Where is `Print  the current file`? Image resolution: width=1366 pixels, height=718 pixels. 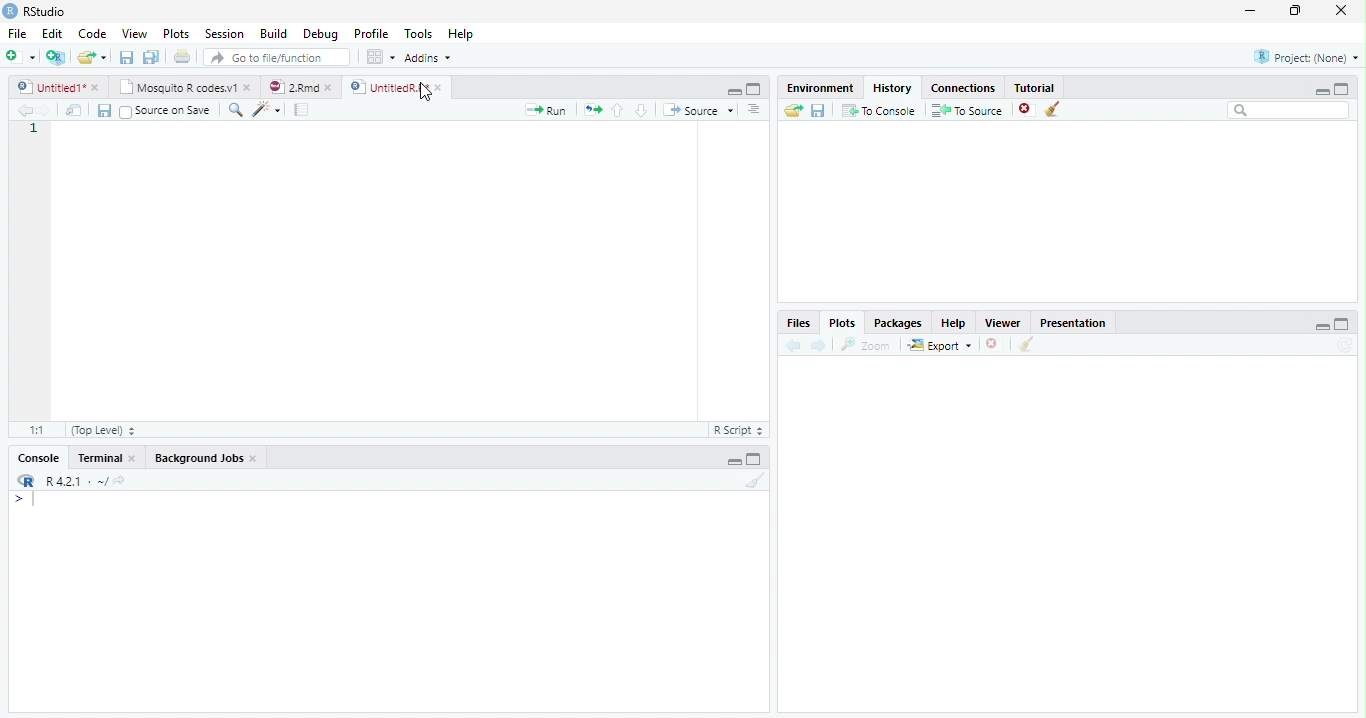 Print  the current file is located at coordinates (183, 57).